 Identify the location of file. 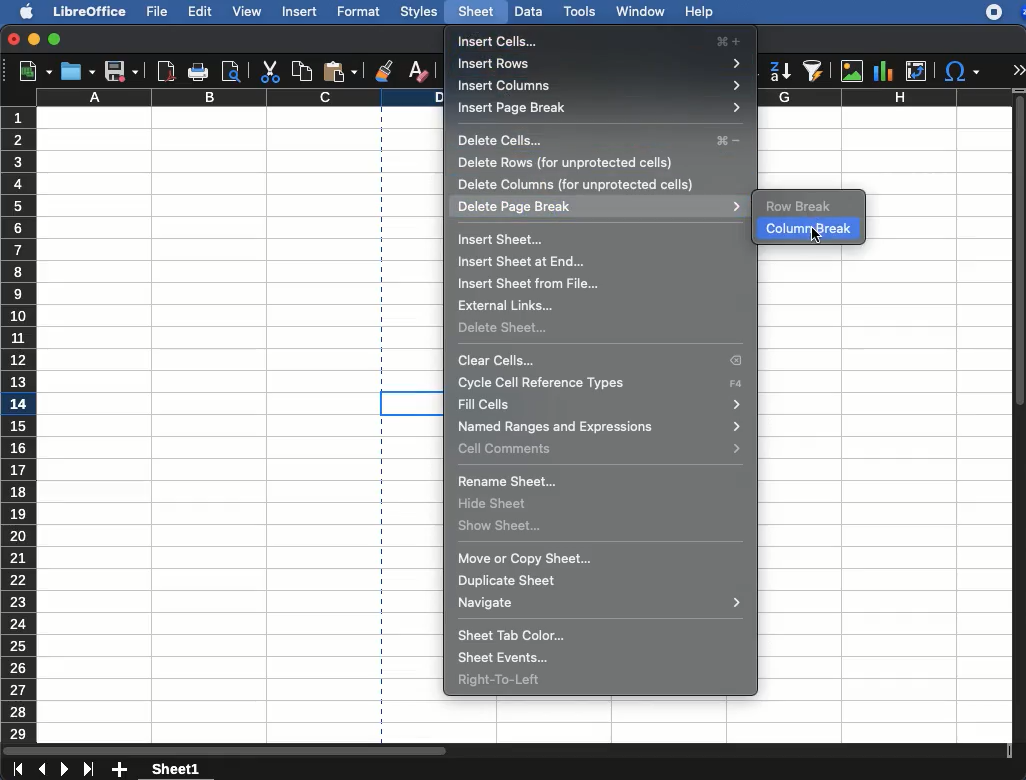
(155, 11).